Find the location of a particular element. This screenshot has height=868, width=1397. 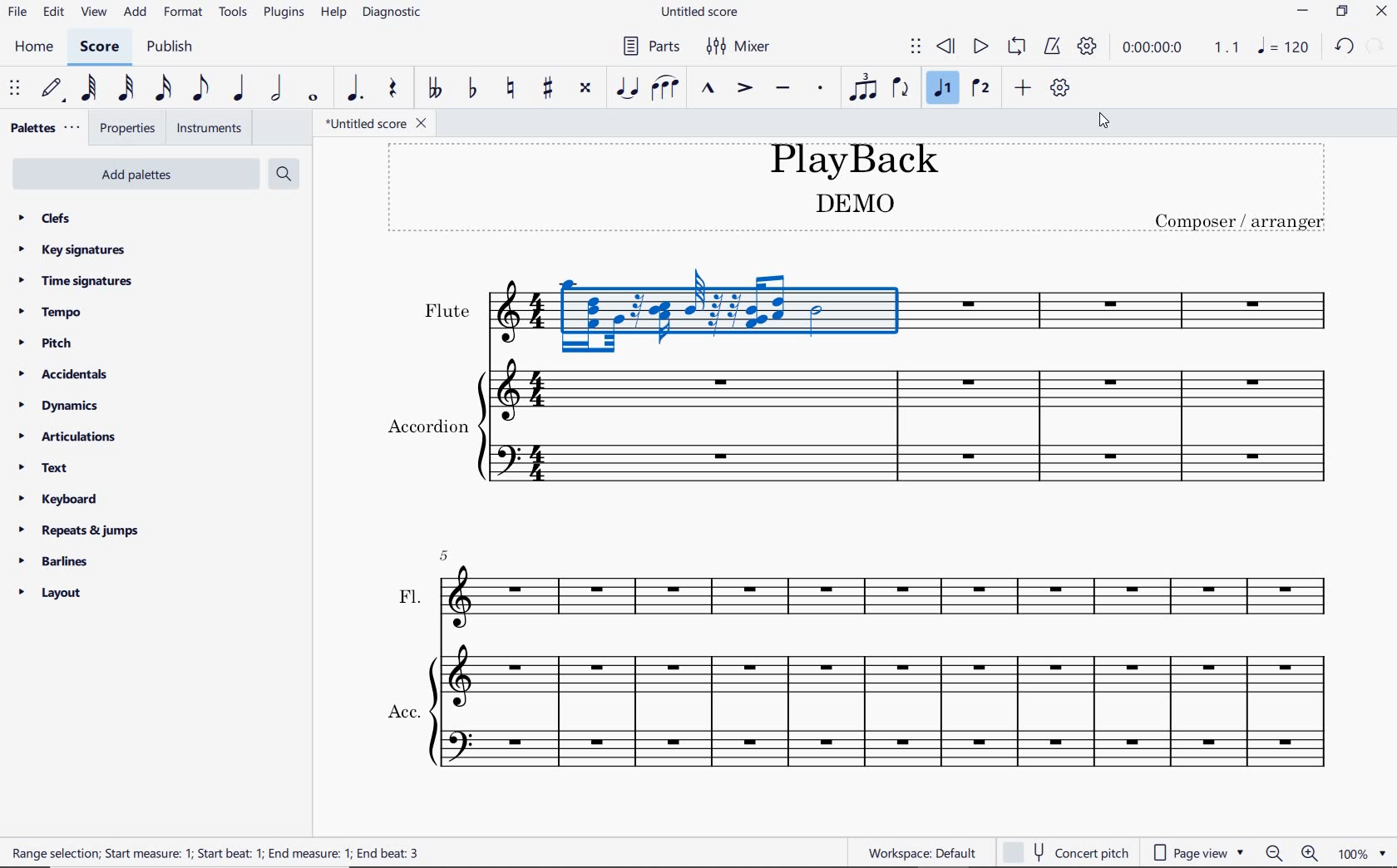

marcato is located at coordinates (708, 89).